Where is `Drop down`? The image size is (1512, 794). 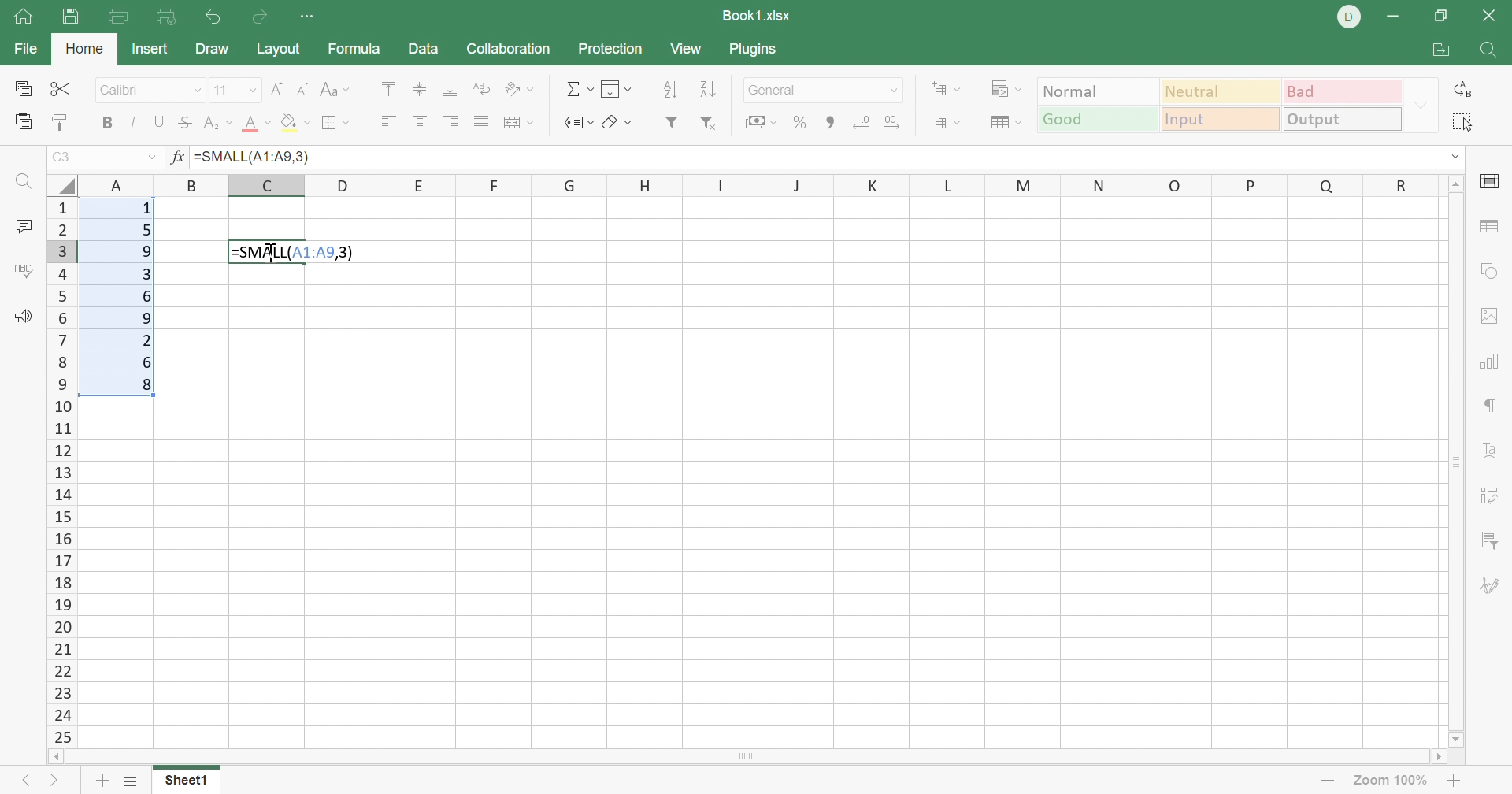 Drop down is located at coordinates (1455, 158).